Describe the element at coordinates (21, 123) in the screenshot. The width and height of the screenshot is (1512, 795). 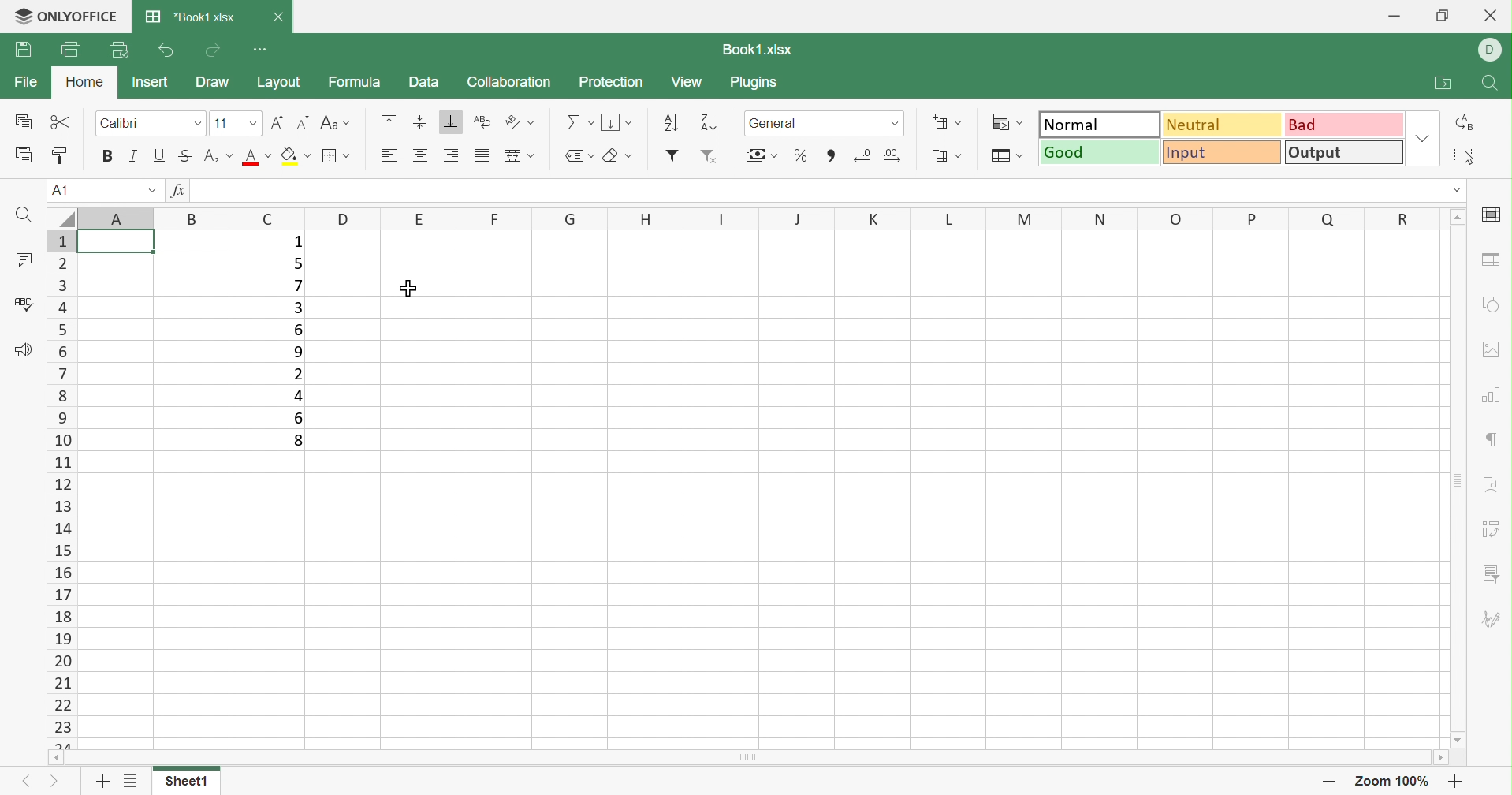
I see `Copy` at that location.